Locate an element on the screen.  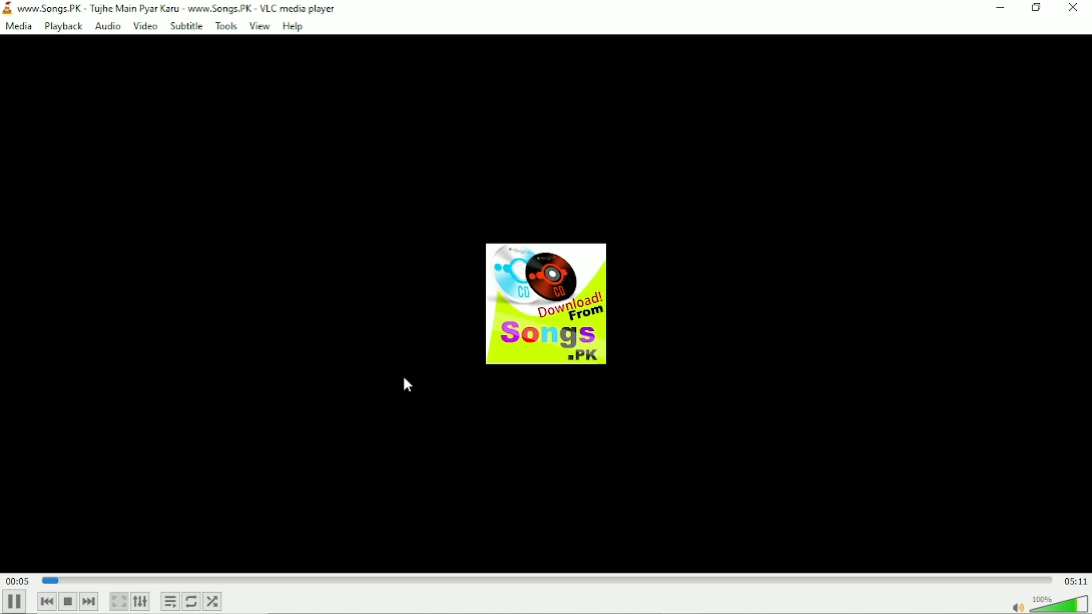
Toggle playlist is located at coordinates (169, 601).